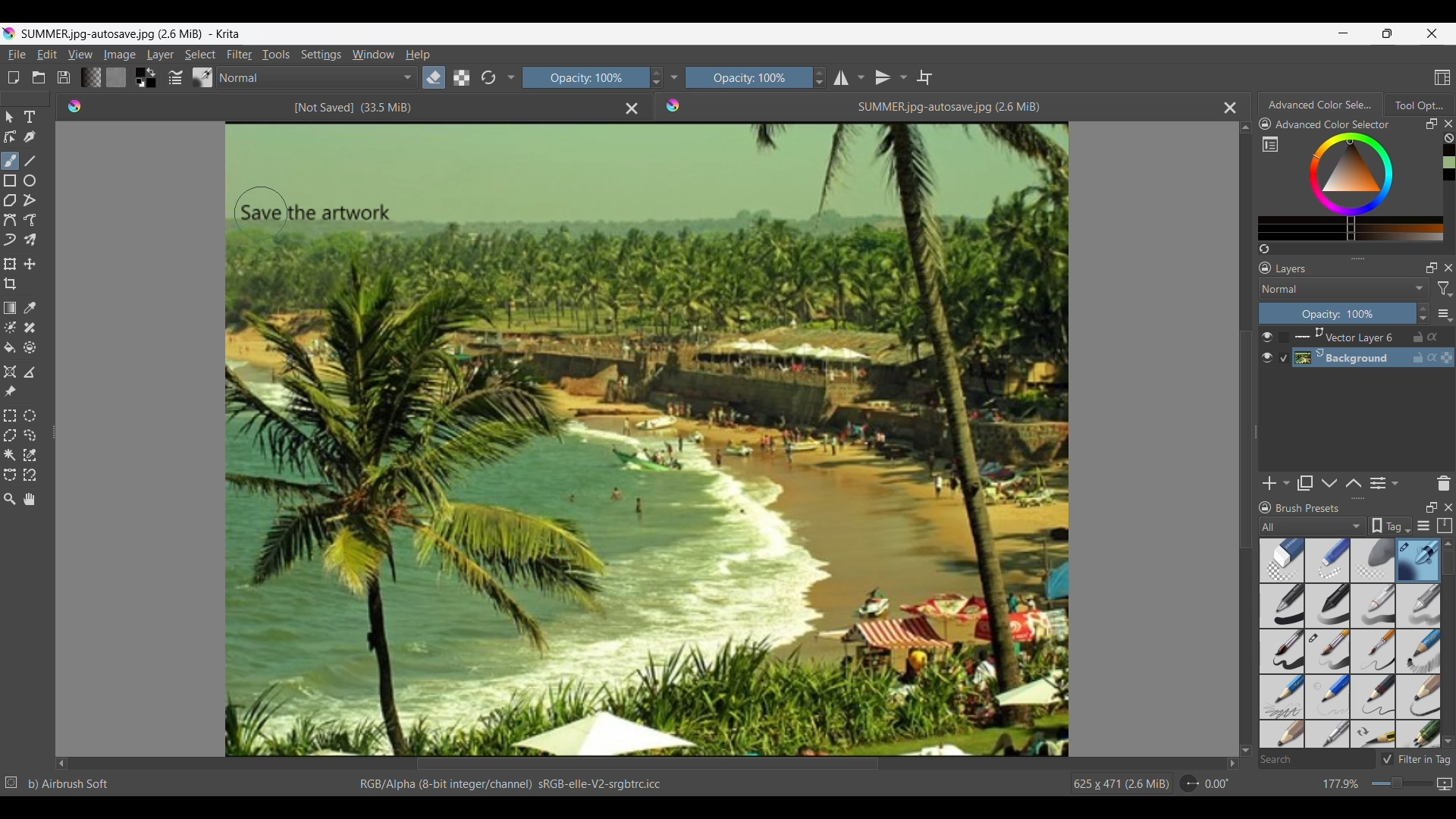  I want to click on Colorize mask tool, so click(11, 327).